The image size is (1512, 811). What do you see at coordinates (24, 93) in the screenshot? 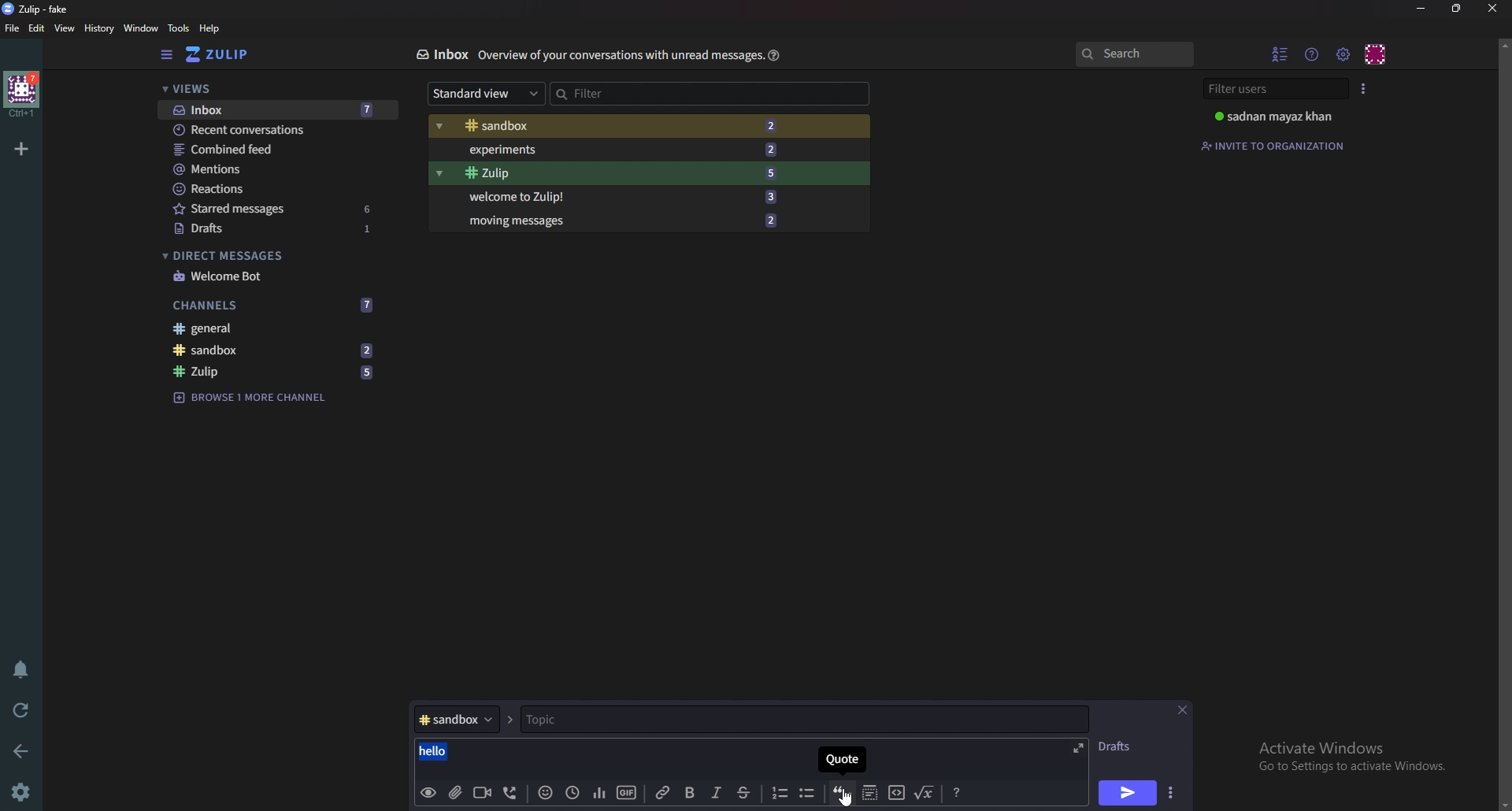
I see `home` at bounding box center [24, 93].